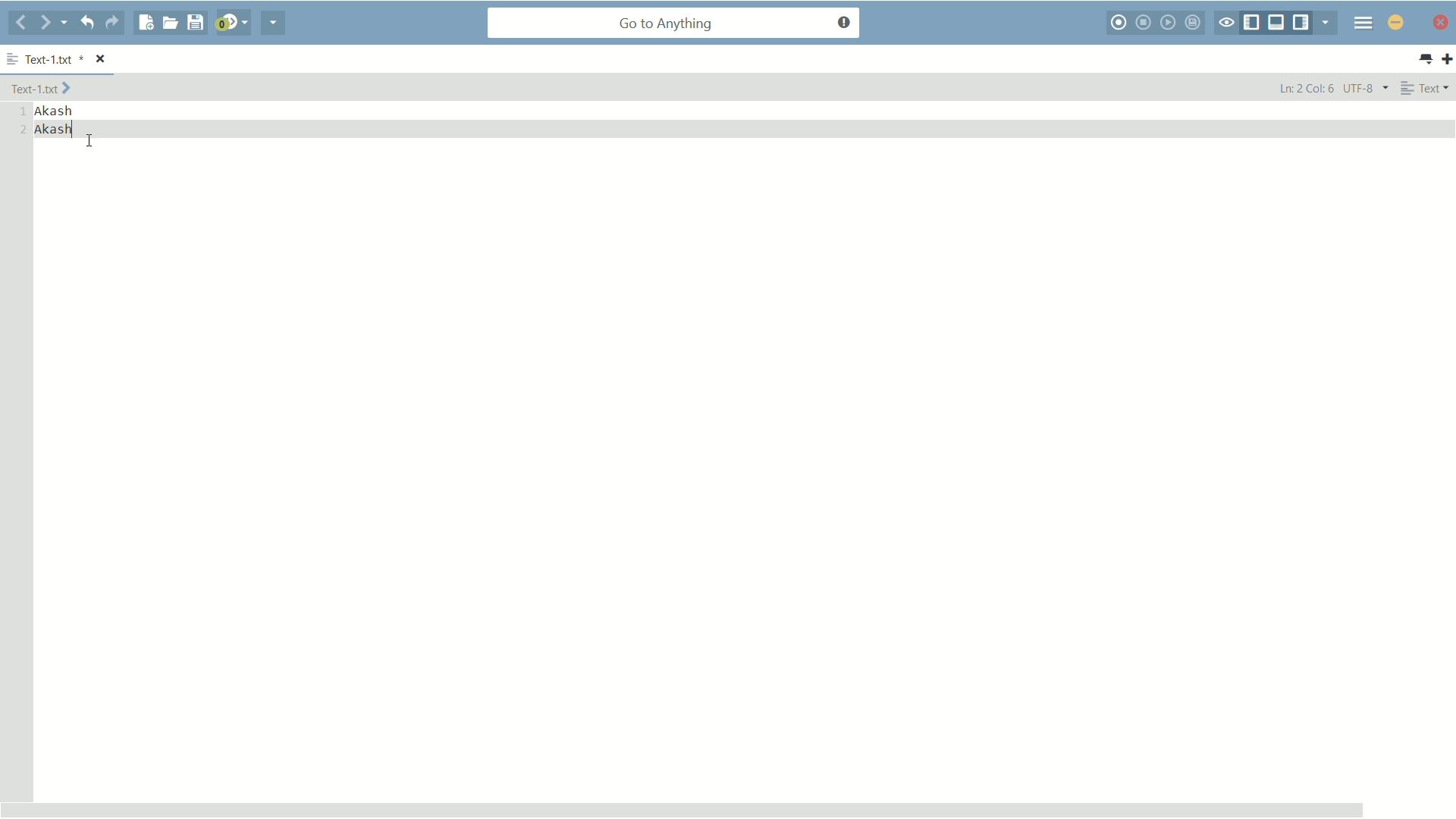 The image size is (1456, 819). Describe the element at coordinates (22, 120) in the screenshot. I see `line number` at that location.